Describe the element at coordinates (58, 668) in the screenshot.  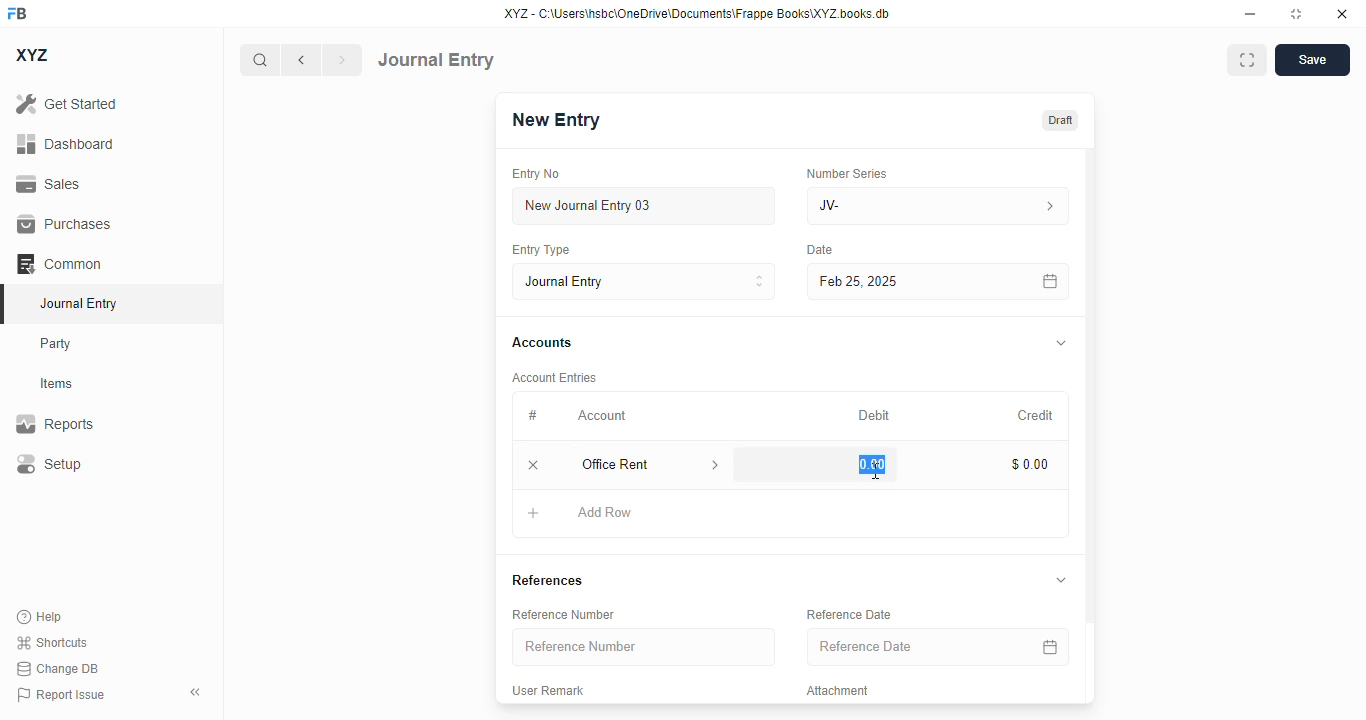
I see `change DB` at that location.